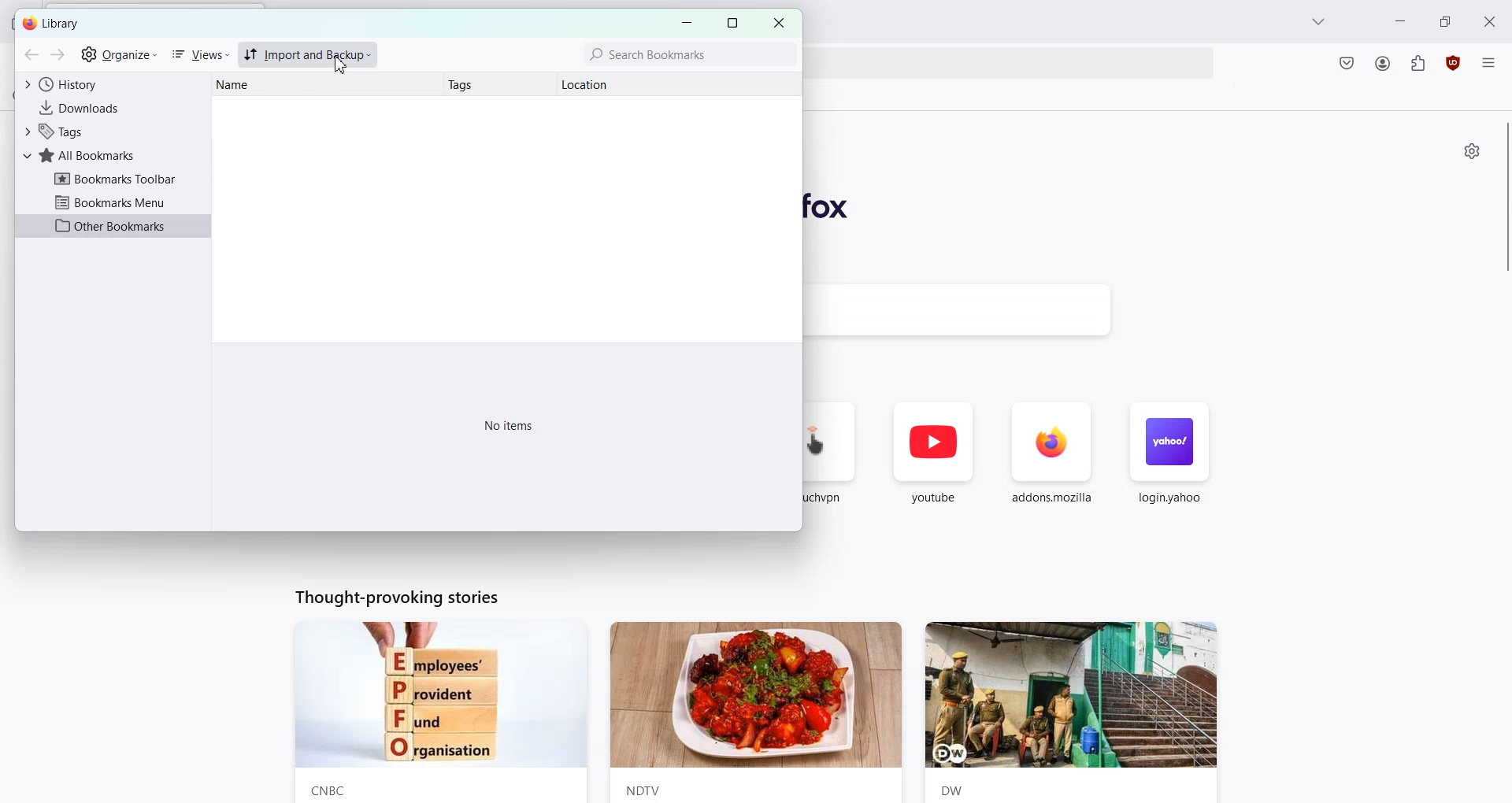  I want to click on News, so click(756, 712).